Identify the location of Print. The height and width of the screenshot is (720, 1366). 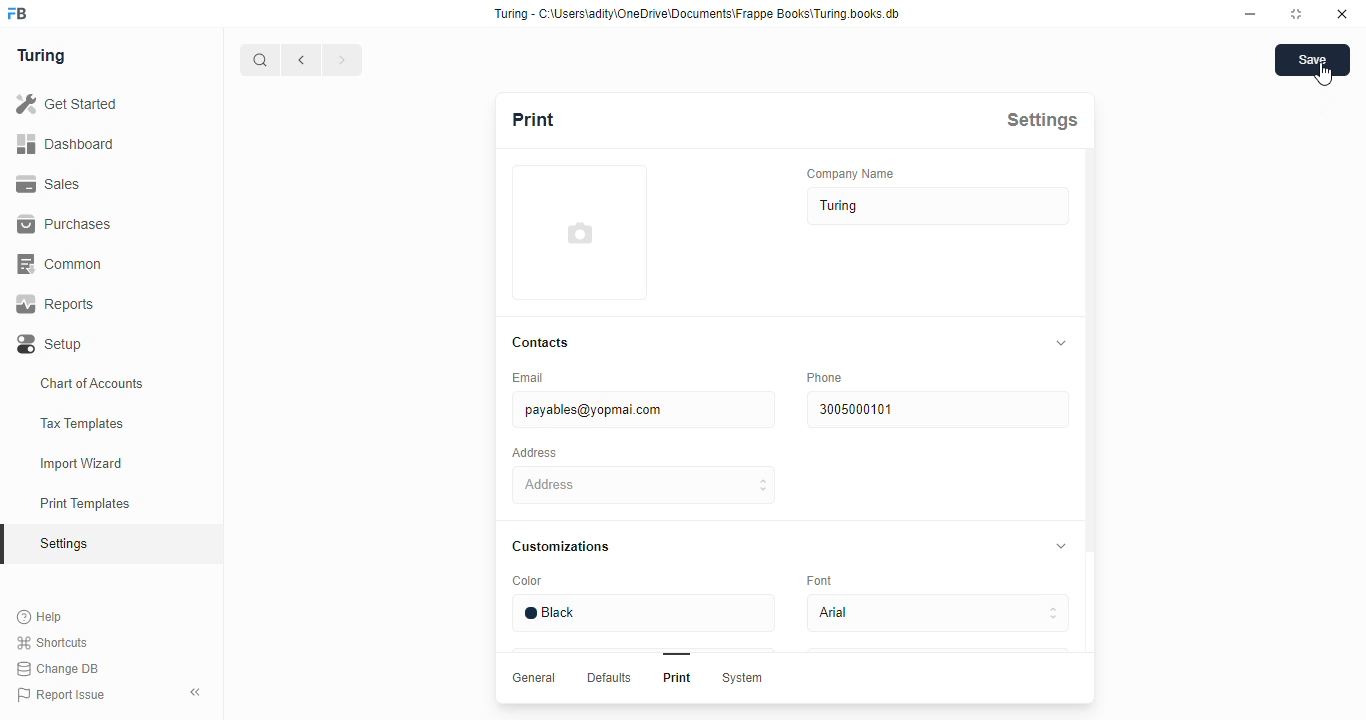
(676, 678).